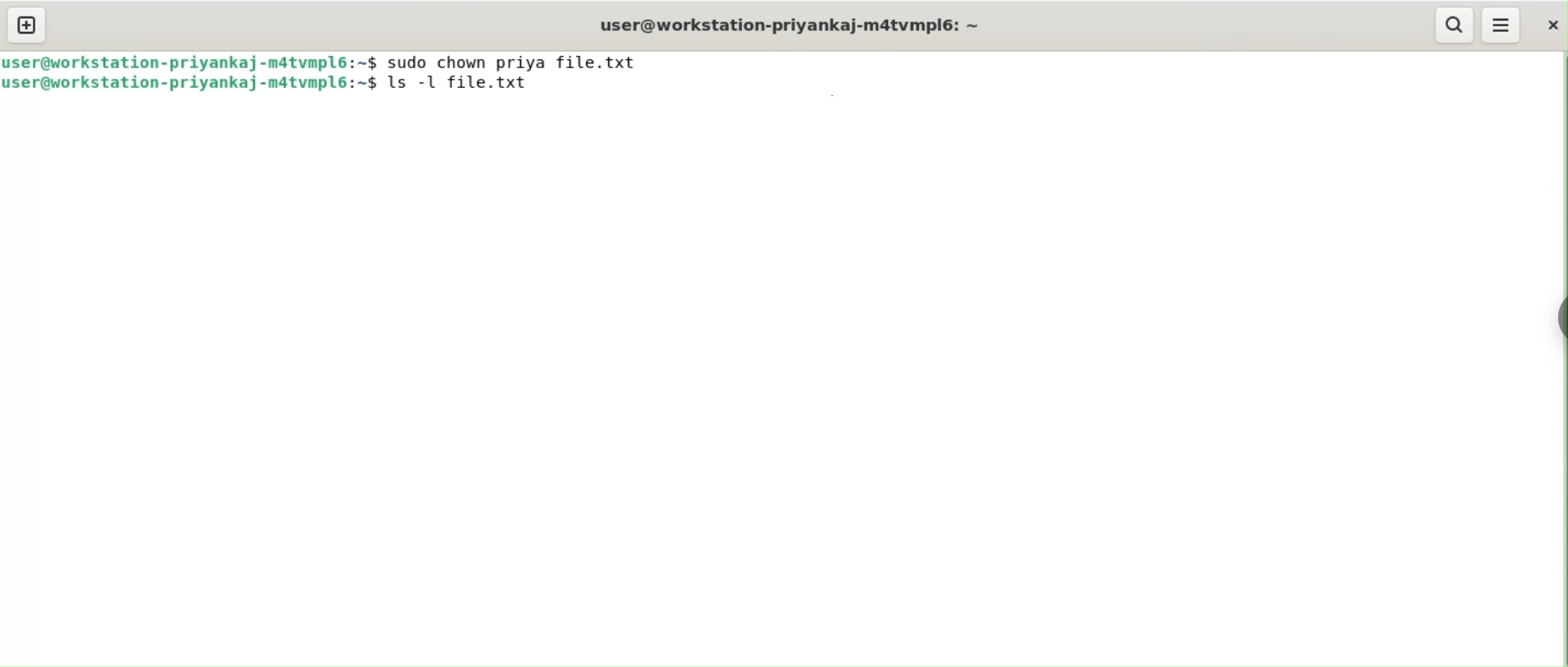  What do you see at coordinates (27, 26) in the screenshot?
I see `new tab` at bounding box center [27, 26].